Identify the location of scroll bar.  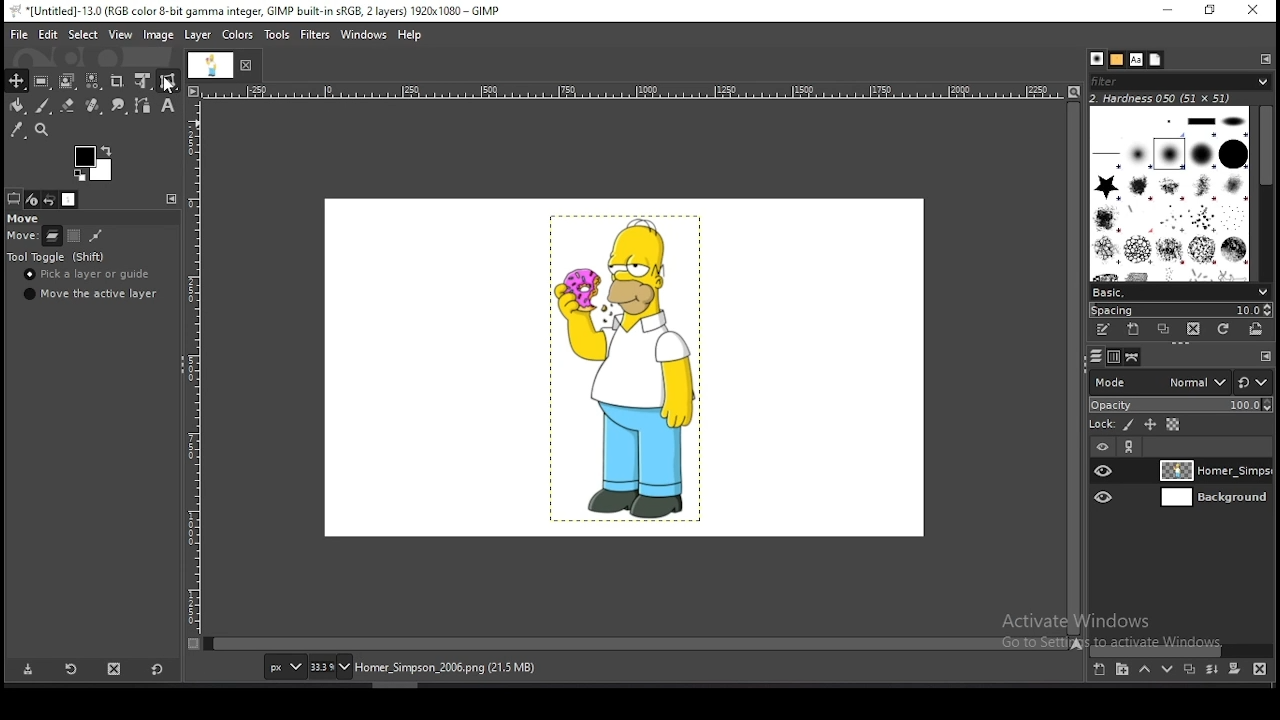
(1264, 190).